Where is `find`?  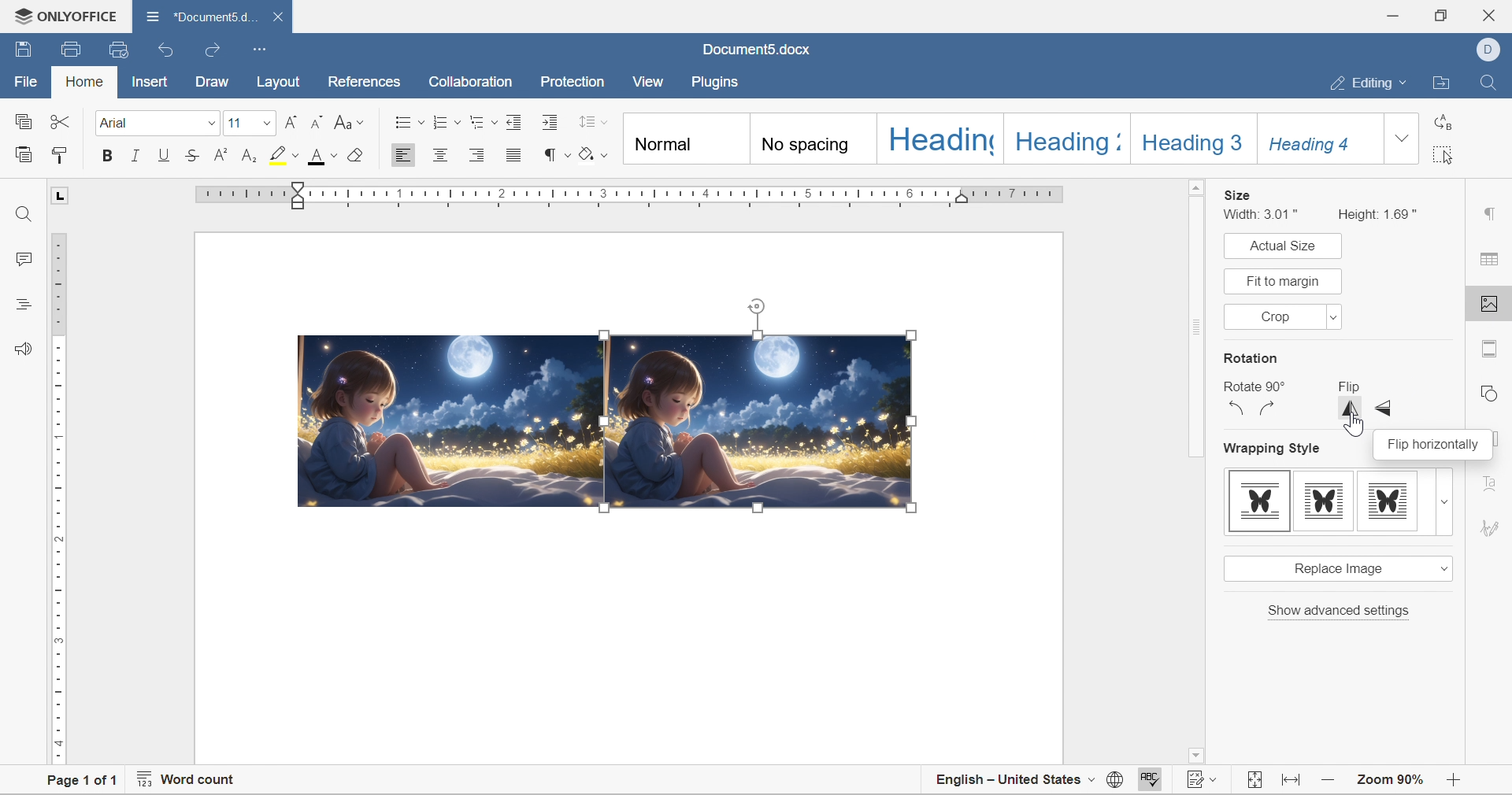
find is located at coordinates (24, 216).